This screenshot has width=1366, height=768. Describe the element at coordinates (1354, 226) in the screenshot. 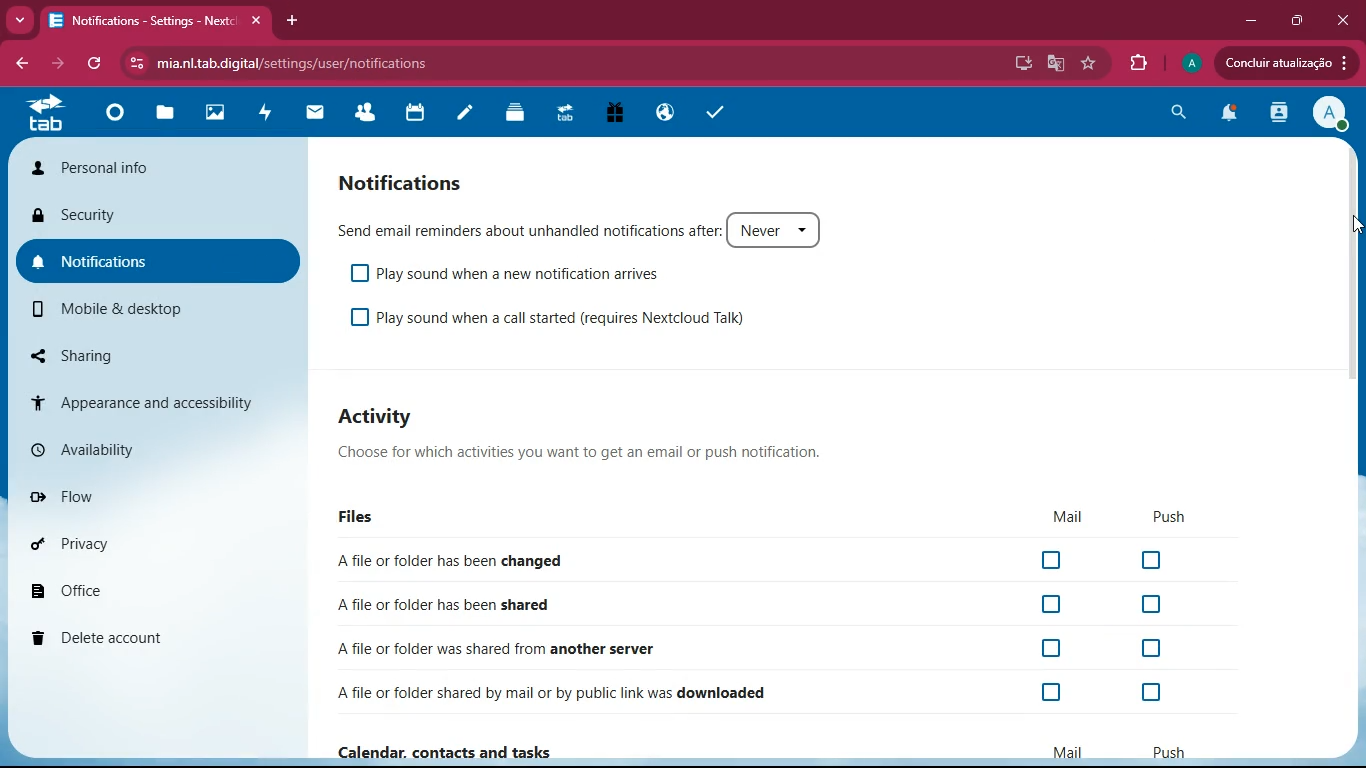

I see `Cursor` at that location.